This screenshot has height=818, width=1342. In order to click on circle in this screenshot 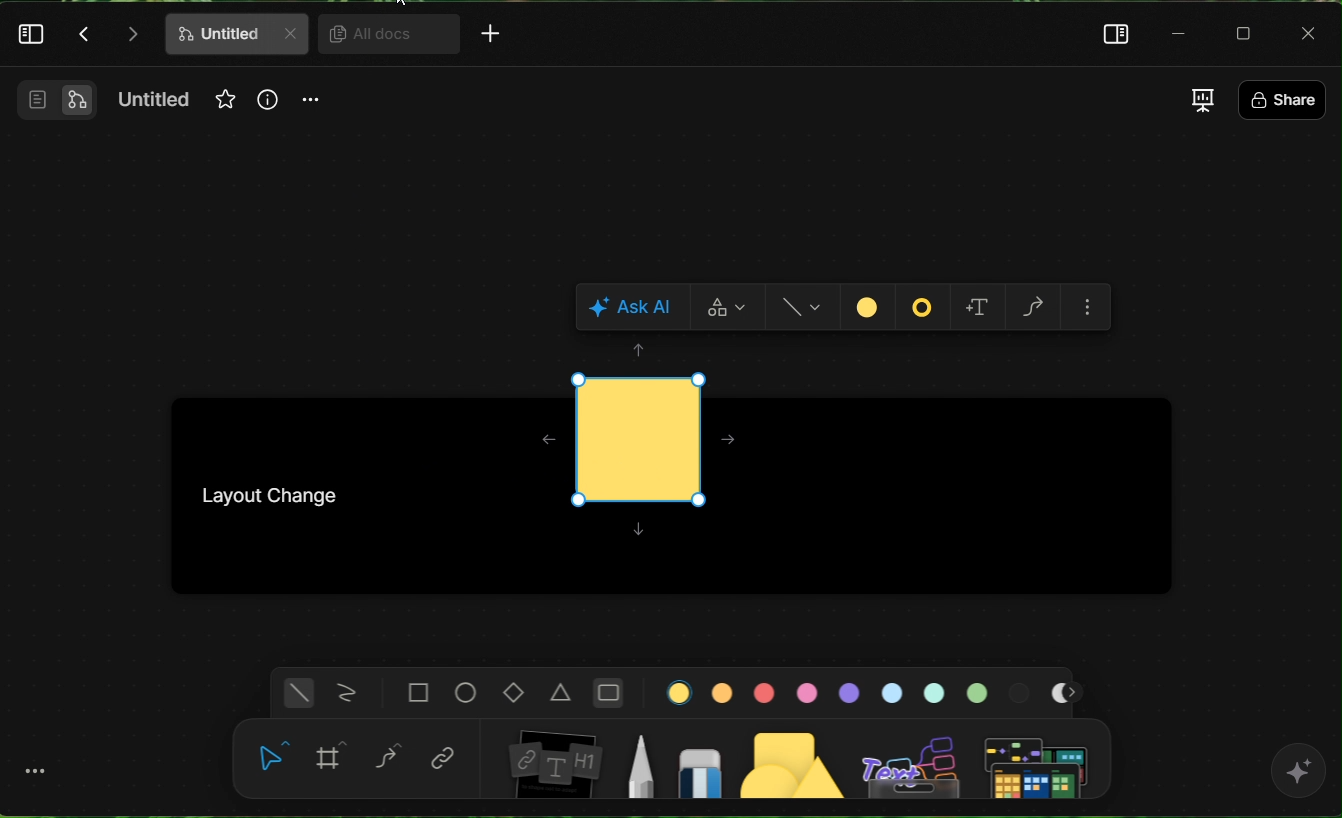, I will do `click(464, 694)`.